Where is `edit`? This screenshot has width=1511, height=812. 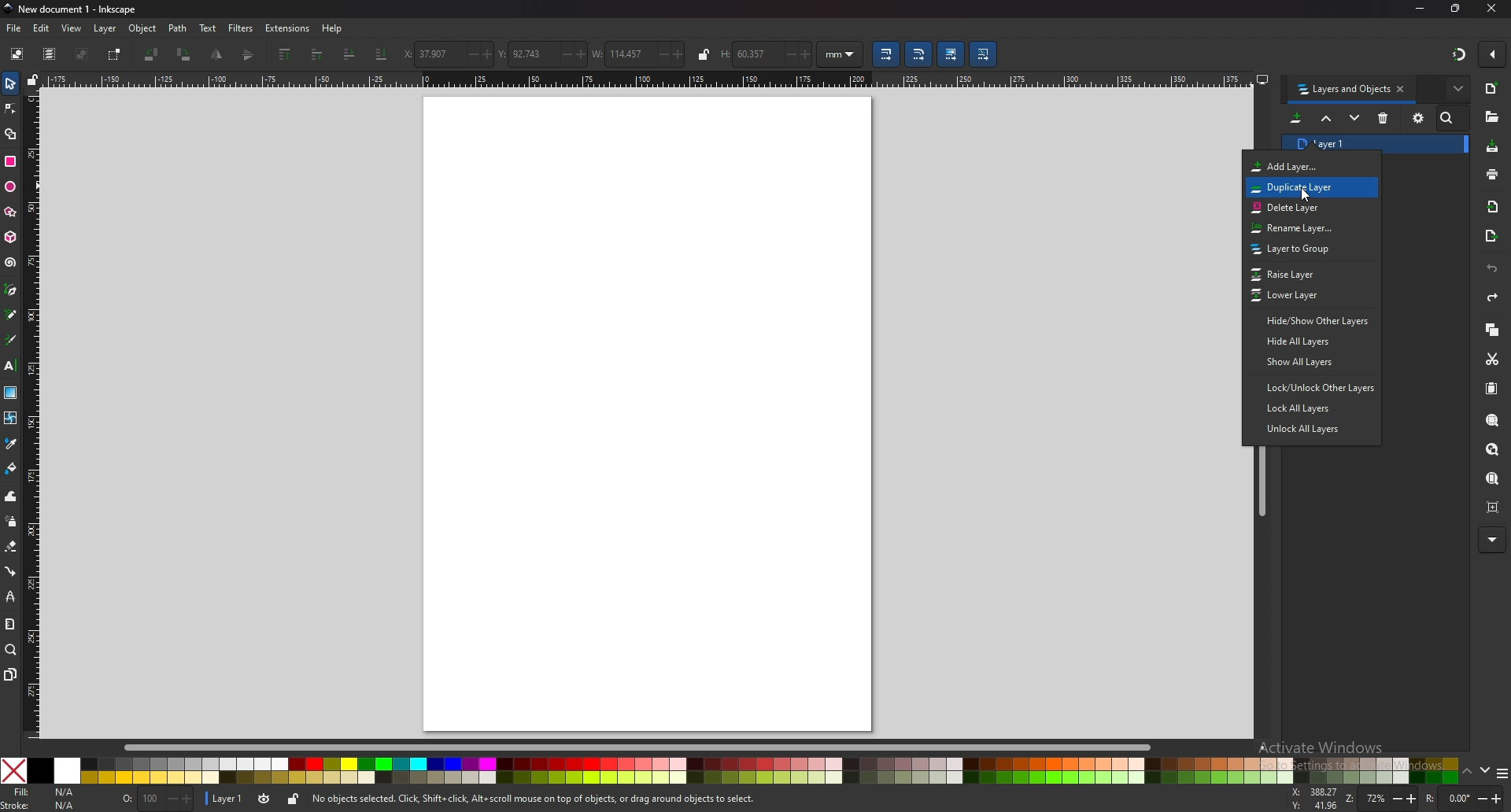 edit is located at coordinates (42, 28).